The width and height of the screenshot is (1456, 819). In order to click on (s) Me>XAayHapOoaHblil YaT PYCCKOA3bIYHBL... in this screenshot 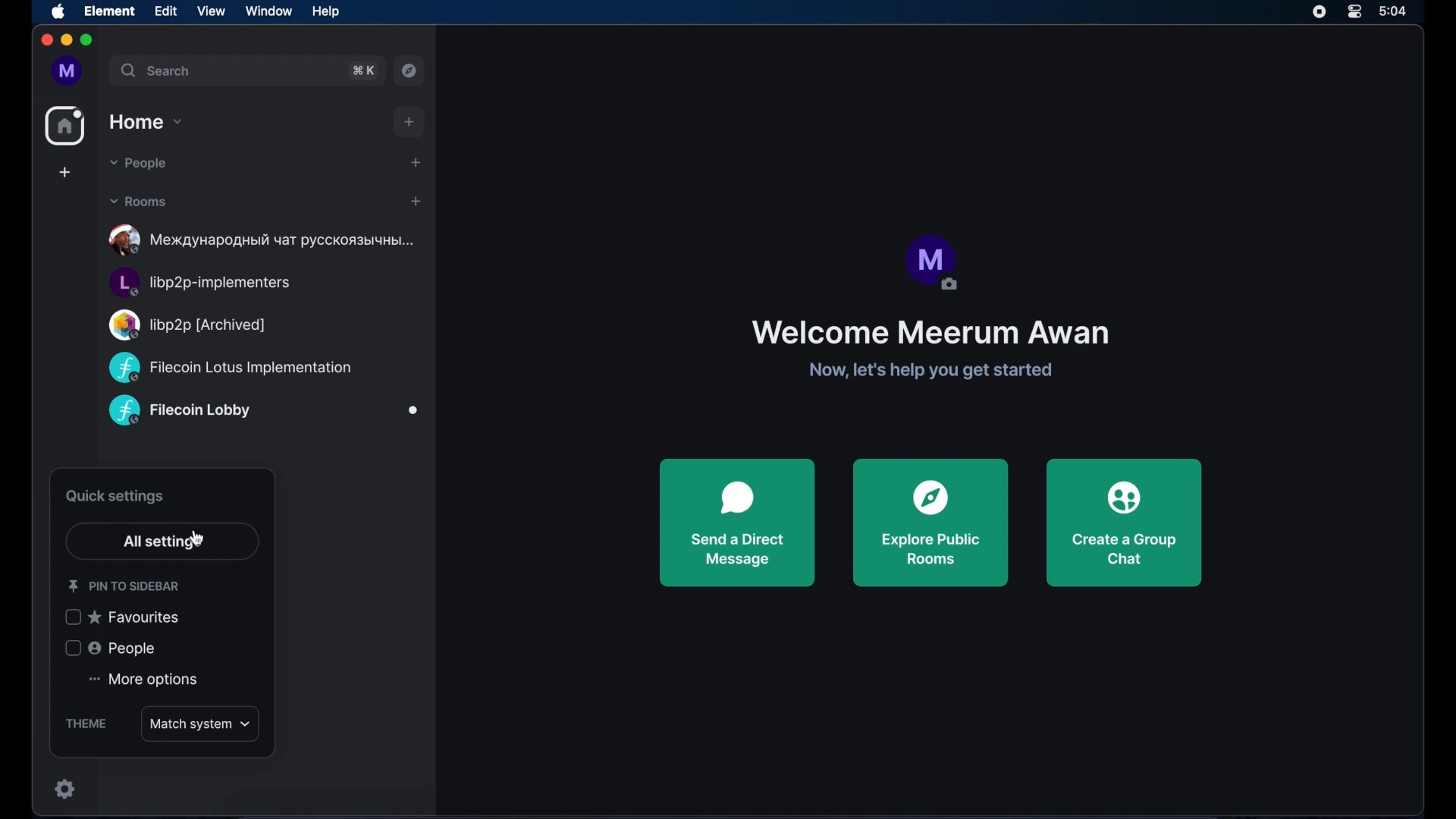, I will do `click(268, 240)`.